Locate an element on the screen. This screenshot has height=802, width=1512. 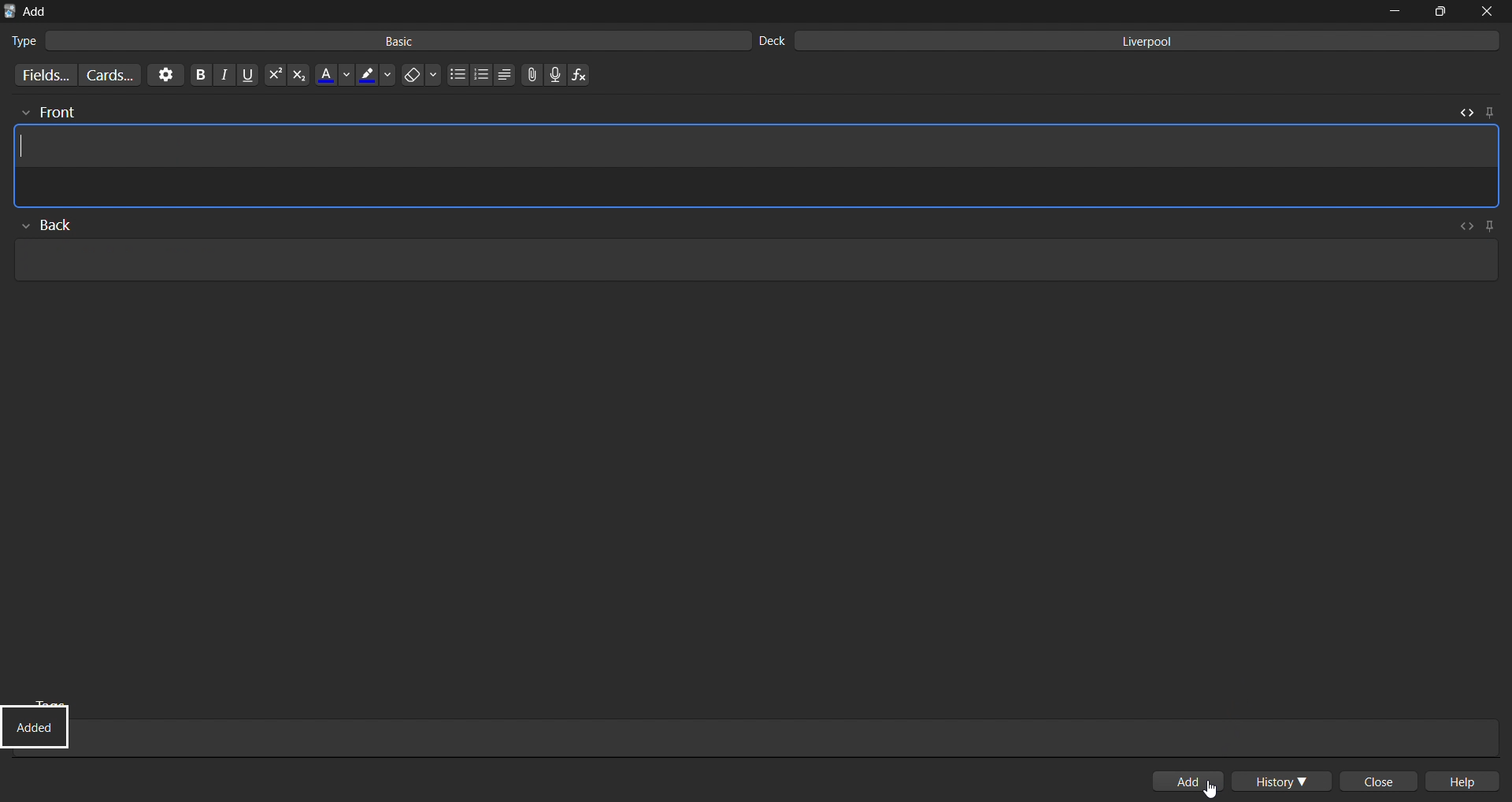
bold is located at coordinates (198, 76).